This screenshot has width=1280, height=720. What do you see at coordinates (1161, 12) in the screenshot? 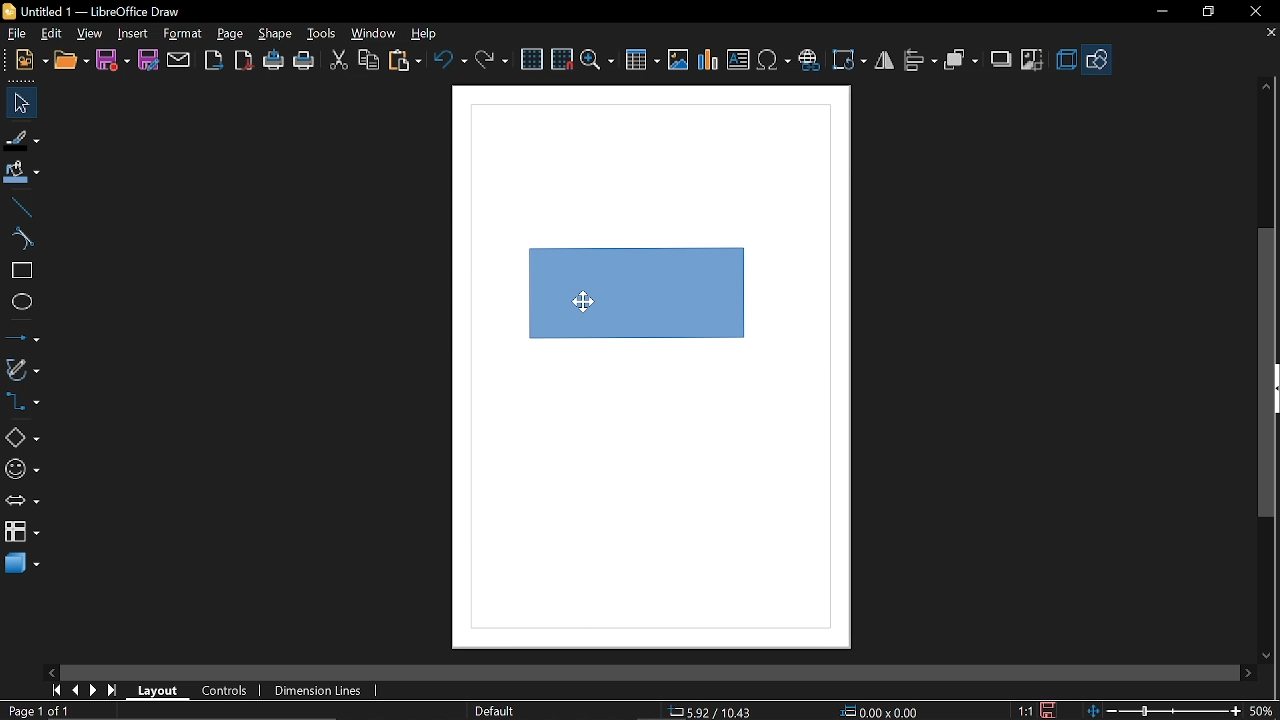
I see `minimize` at bounding box center [1161, 12].